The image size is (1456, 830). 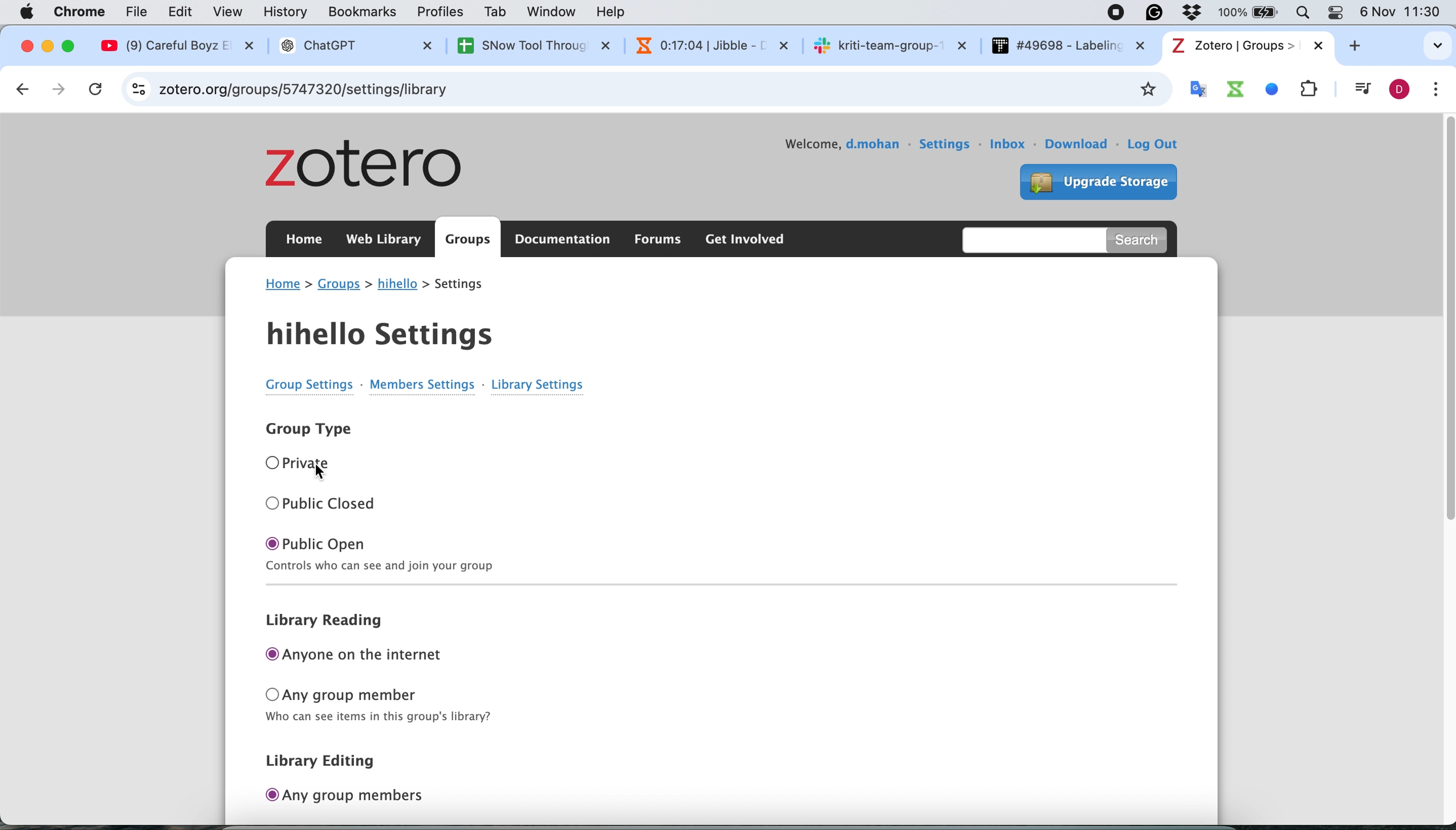 What do you see at coordinates (1260, 88) in the screenshot?
I see `system extensions` at bounding box center [1260, 88].